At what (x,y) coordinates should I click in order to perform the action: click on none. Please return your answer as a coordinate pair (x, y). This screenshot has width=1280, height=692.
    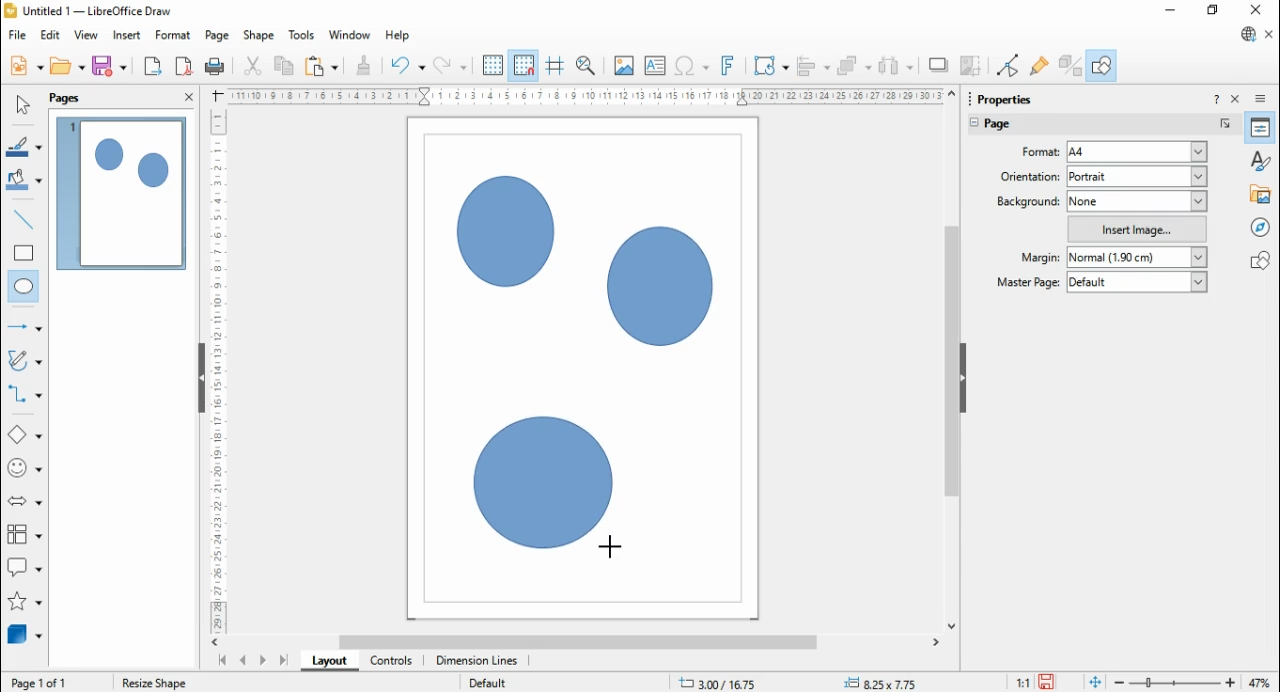
    Looking at the image, I should click on (1137, 201).